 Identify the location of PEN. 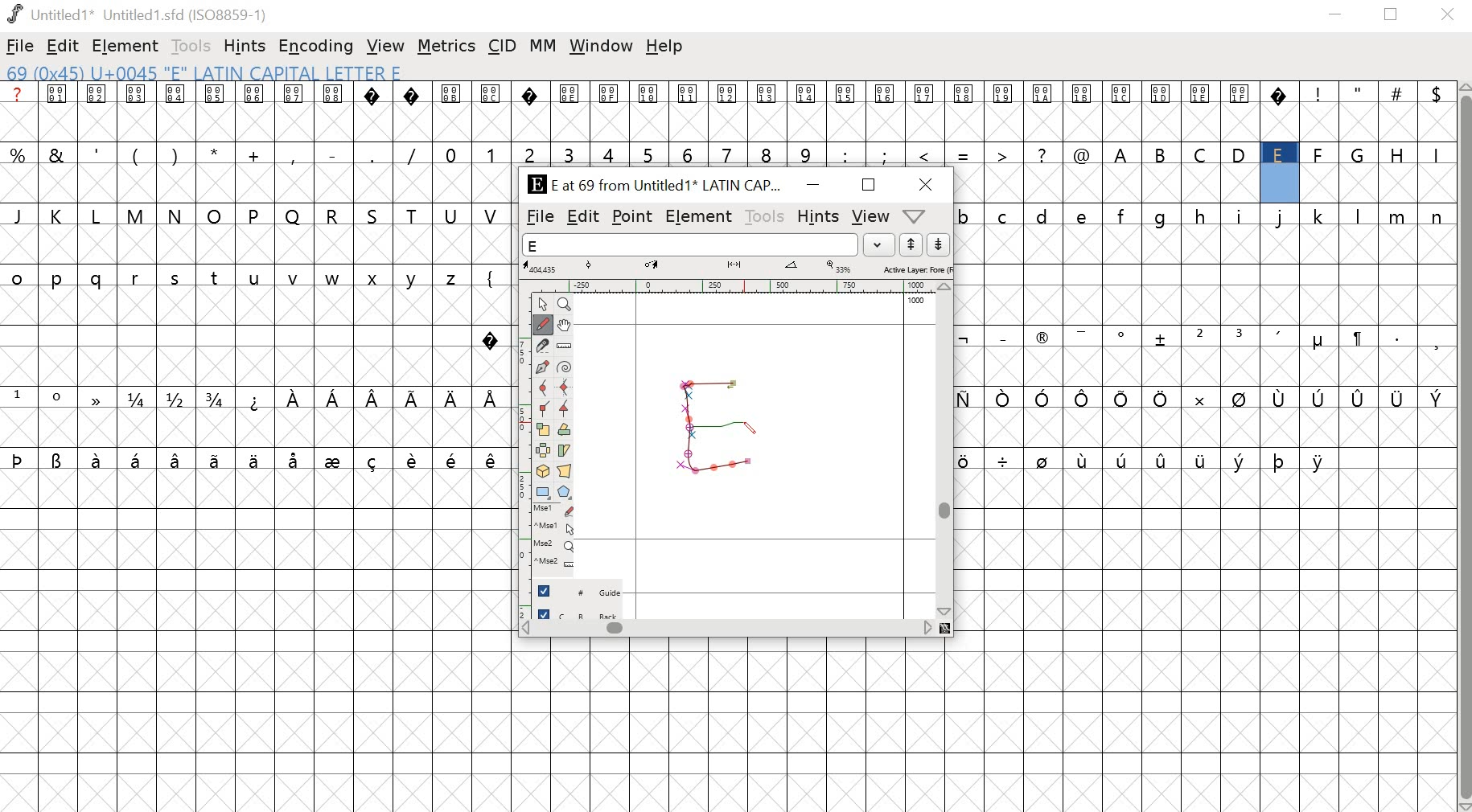
(747, 429).